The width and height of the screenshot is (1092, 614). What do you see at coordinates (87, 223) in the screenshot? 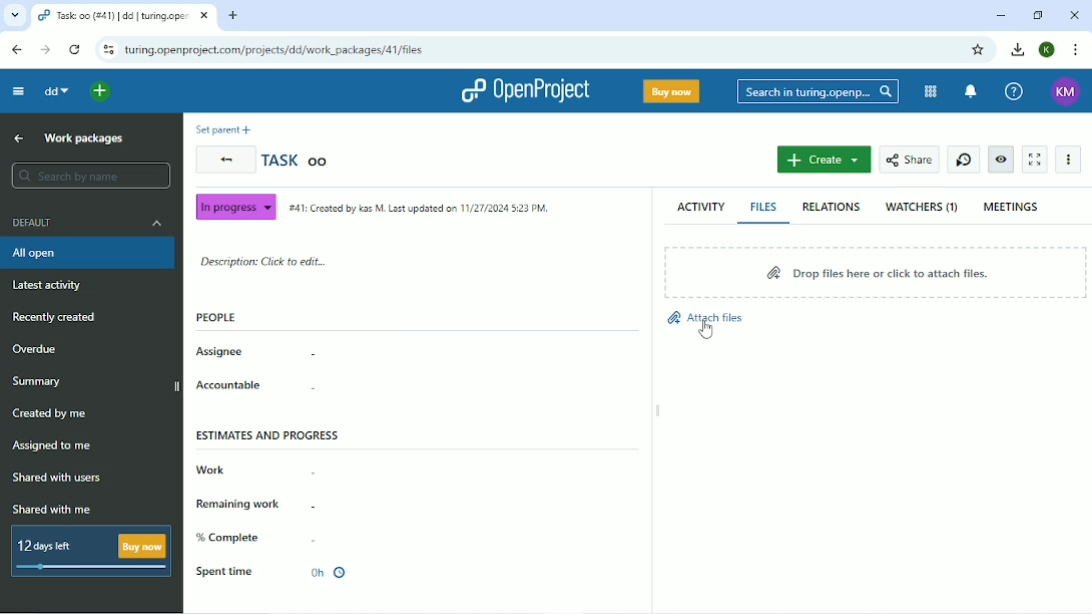
I see `Default` at bounding box center [87, 223].